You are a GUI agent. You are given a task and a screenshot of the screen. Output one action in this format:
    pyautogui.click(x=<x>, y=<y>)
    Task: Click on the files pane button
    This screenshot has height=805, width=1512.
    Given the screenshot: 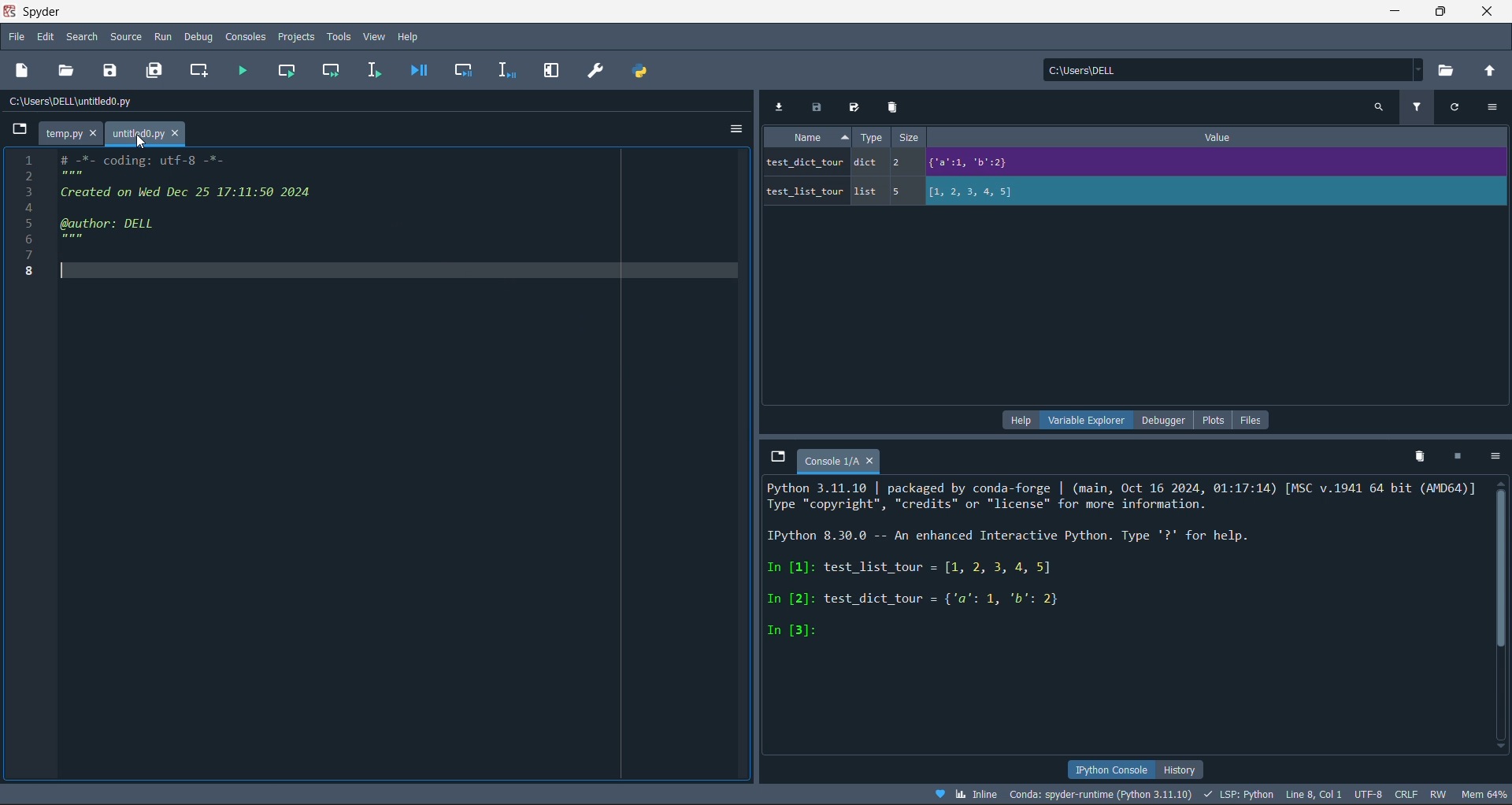 What is the action you would take?
    pyautogui.click(x=1252, y=421)
    